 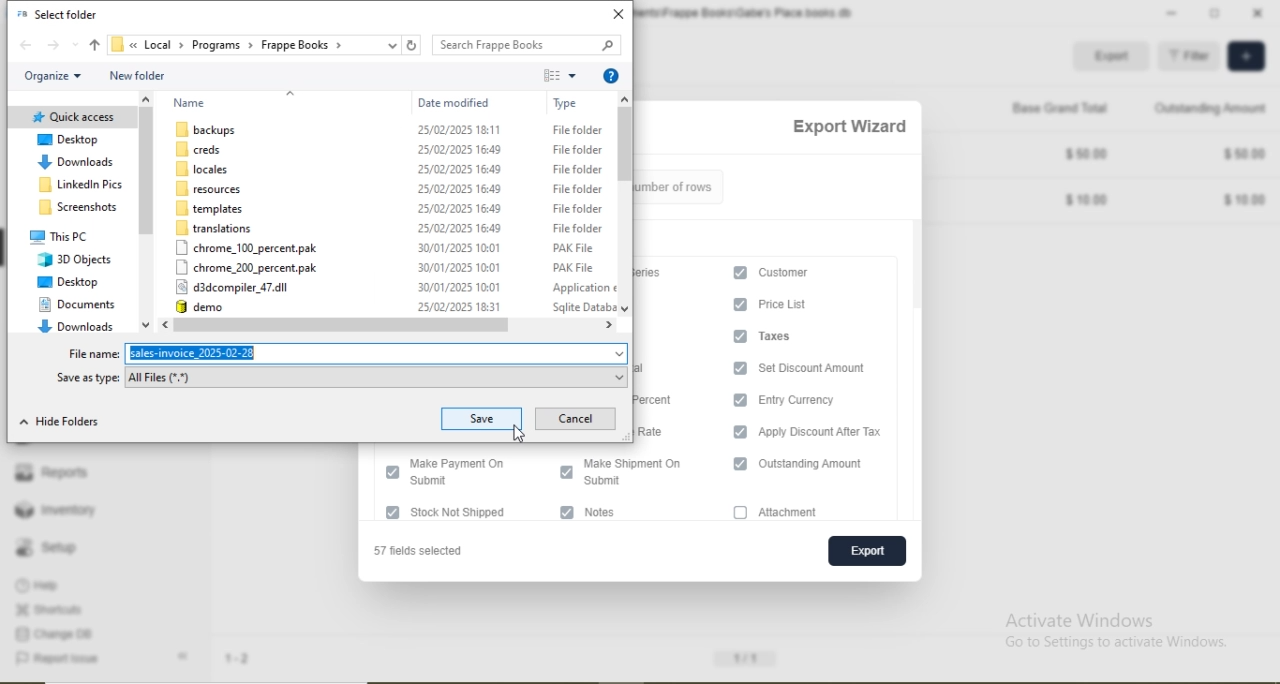 What do you see at coordinates (579, 132) in the screenshot?
I see `File folder` at bounding box center [579, 132].